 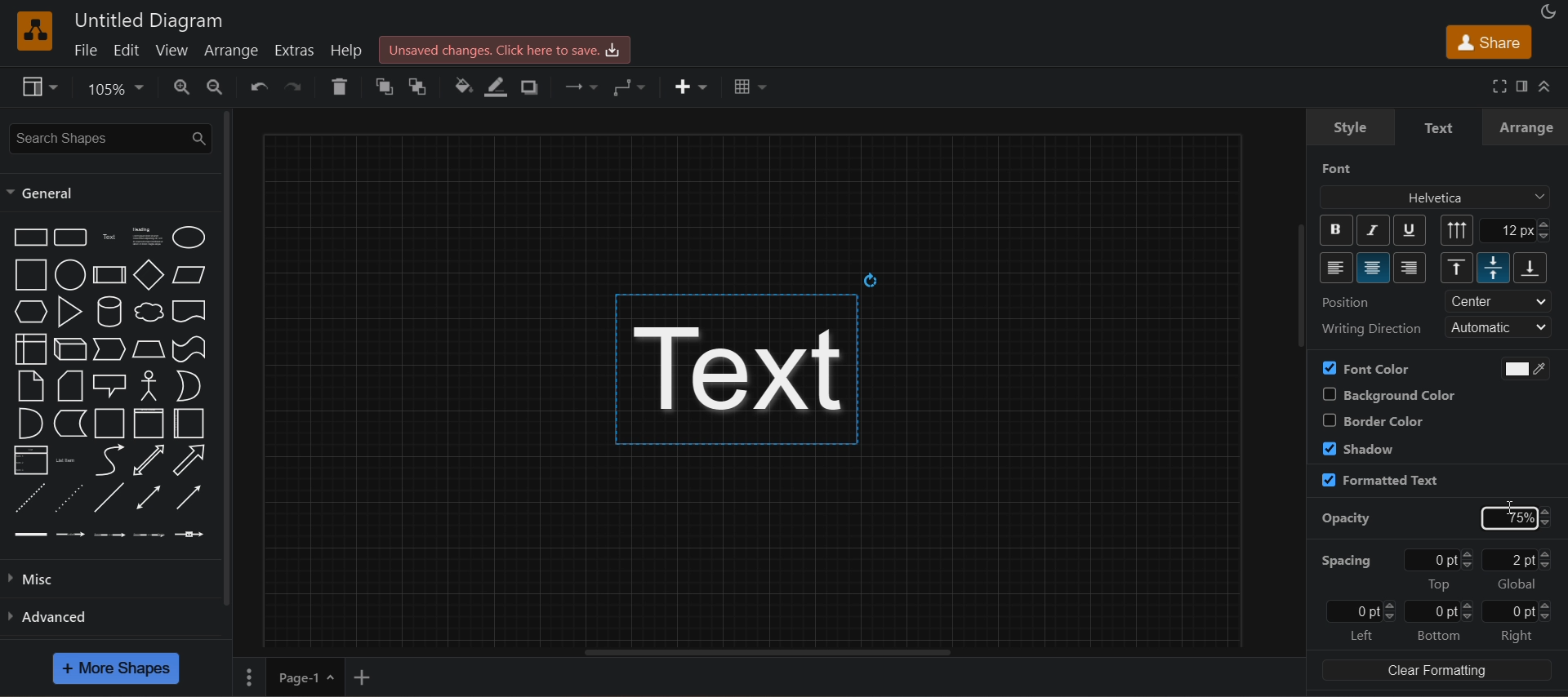 I want to click on spacing, so click(x=1344, y=561).